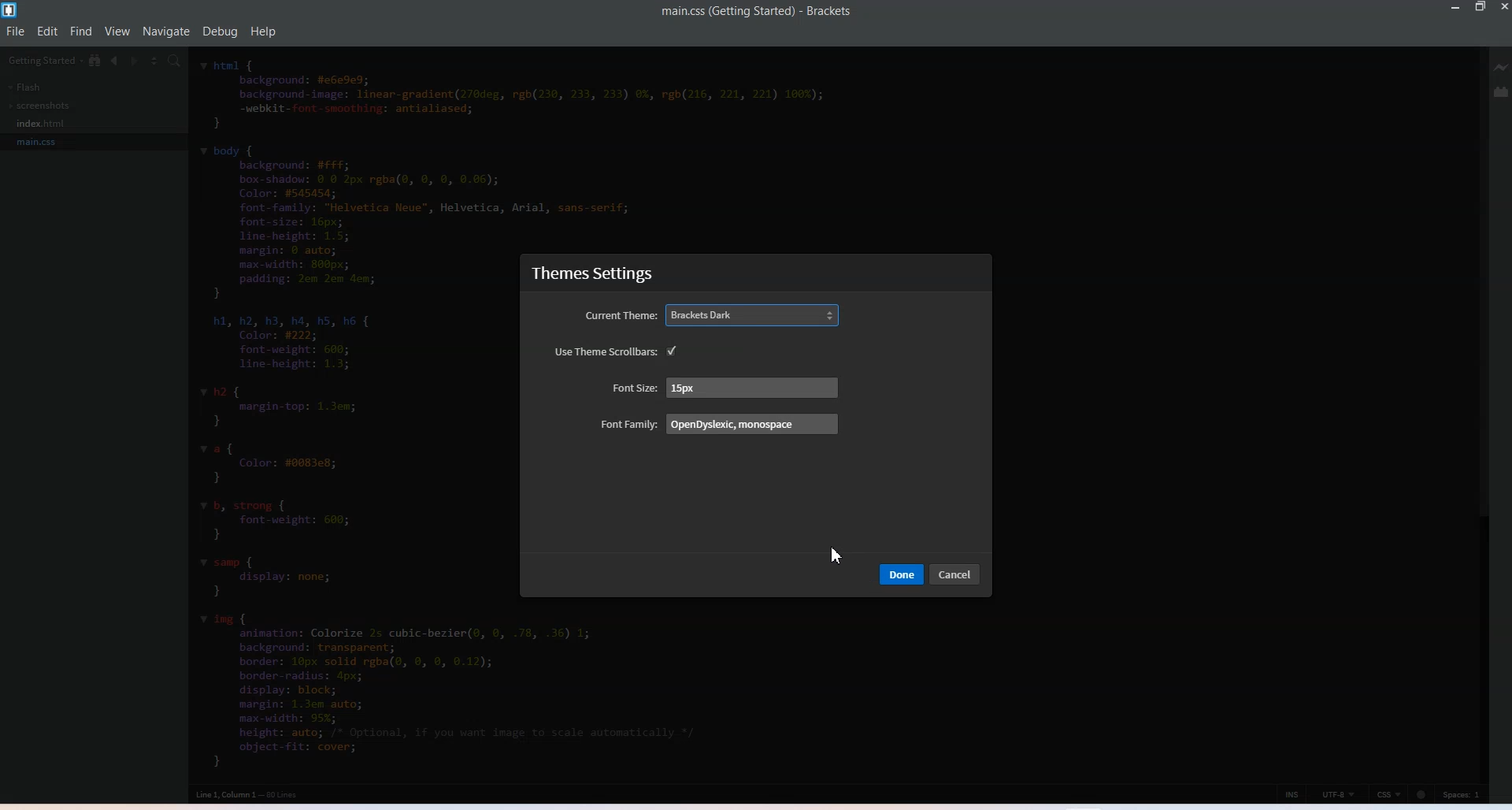  What do you see at coordinates (1390, 794) in the screenshot?
I see `CSS` at bounding box center [1390, 794].